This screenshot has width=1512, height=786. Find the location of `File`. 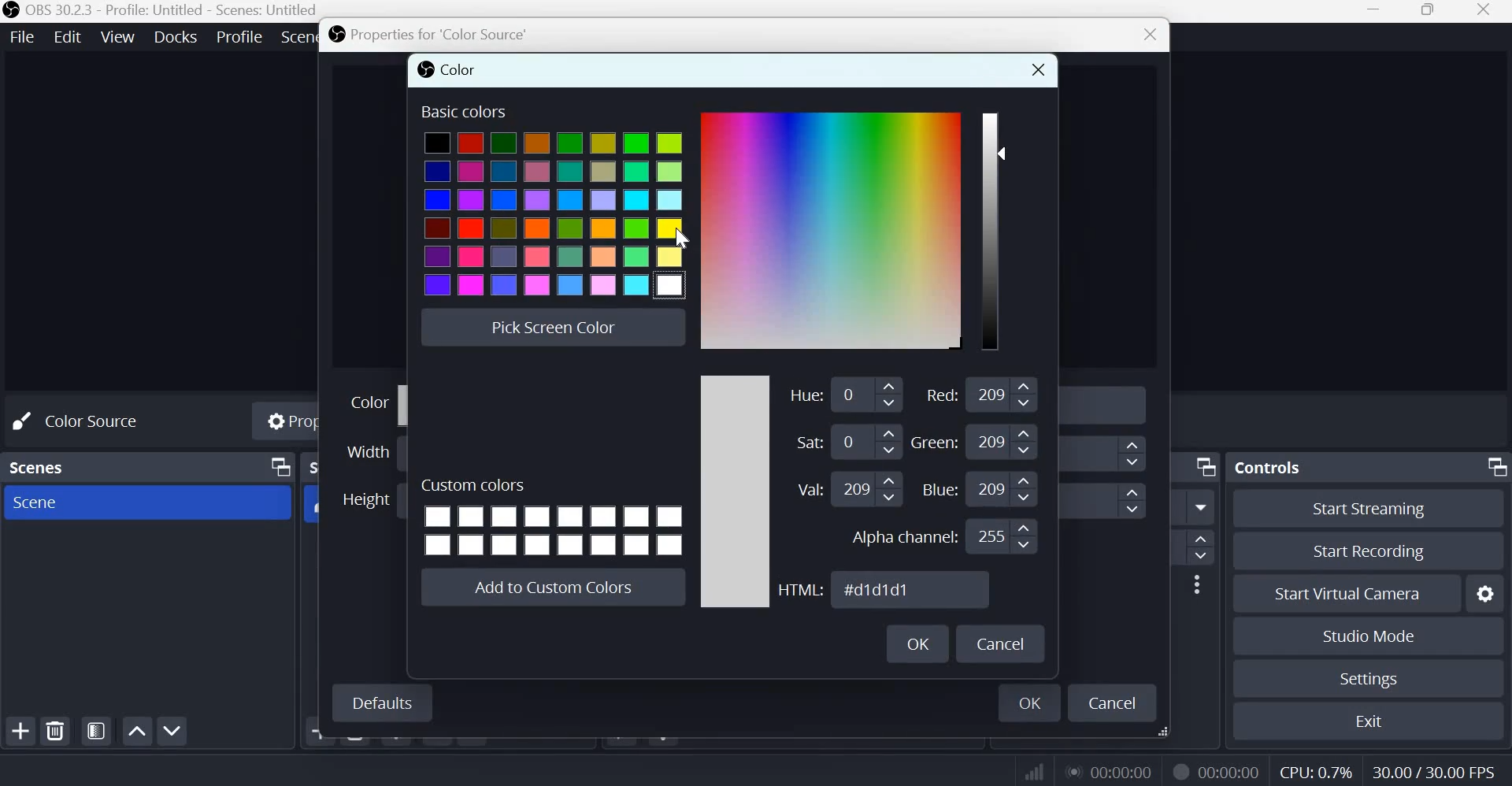

File is located at coordinates (26, 35).